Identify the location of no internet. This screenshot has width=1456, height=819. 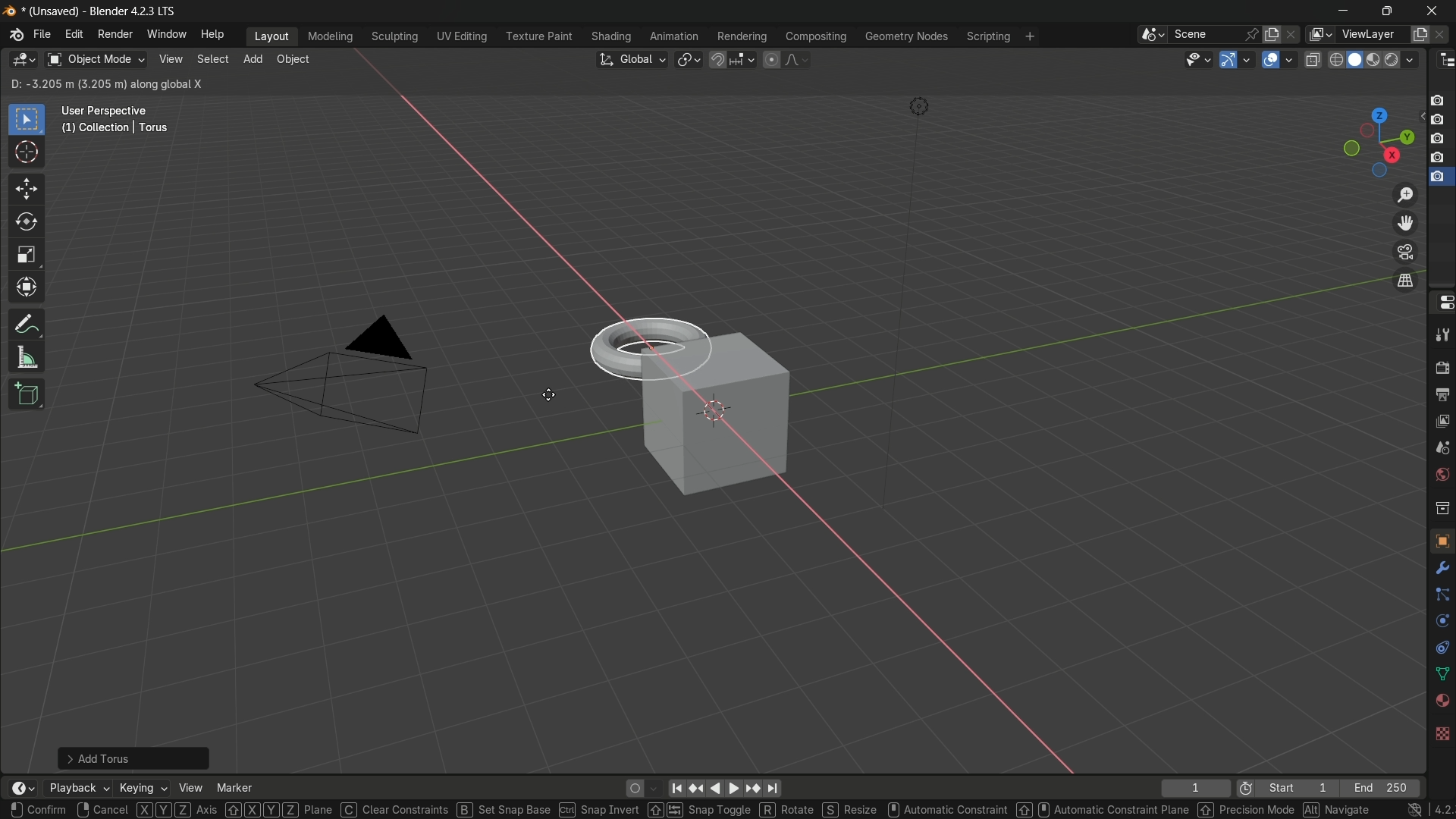
(1415, 810).